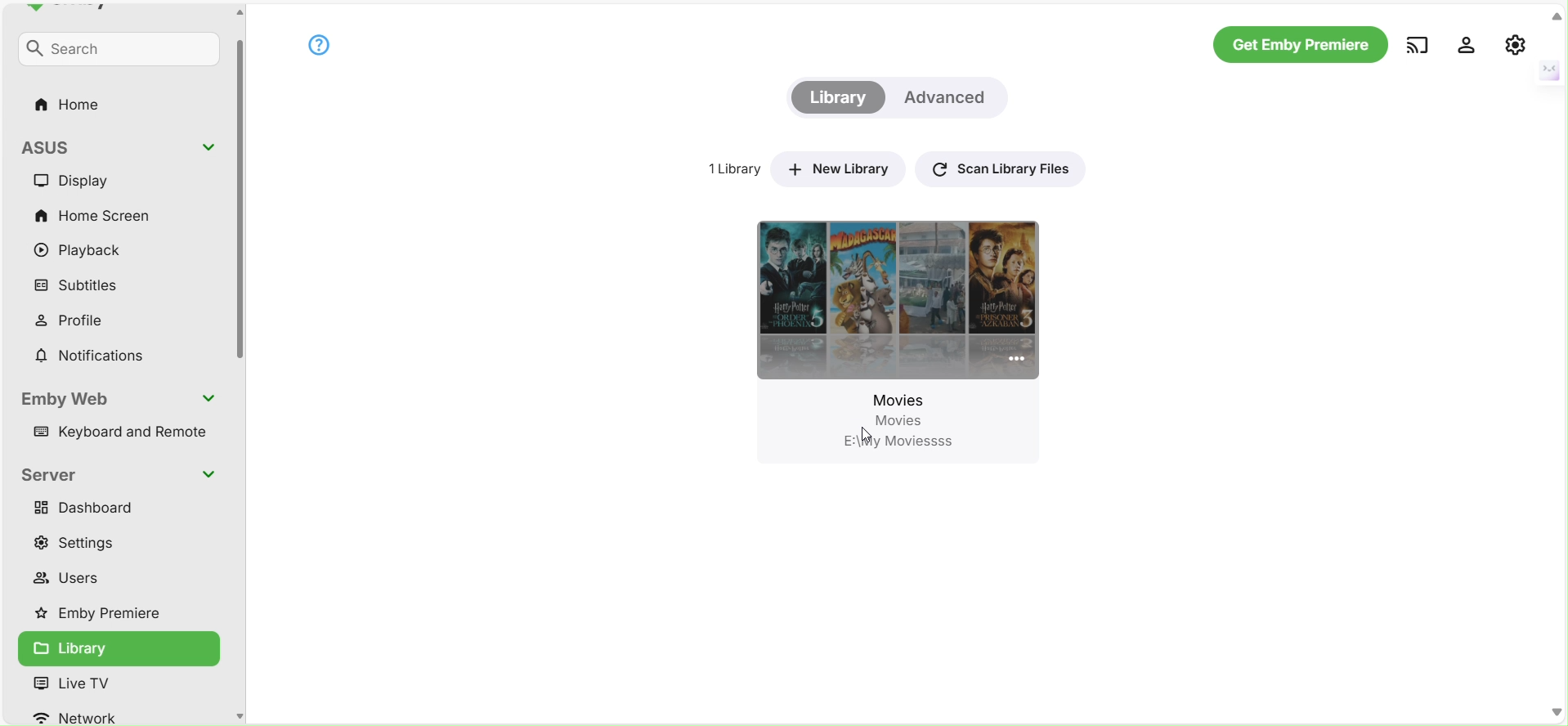 This screenshot has height=726, width=1568. Describe the element at coordinates (1548, 69) in the screenshot. I see `collapse` at that location.